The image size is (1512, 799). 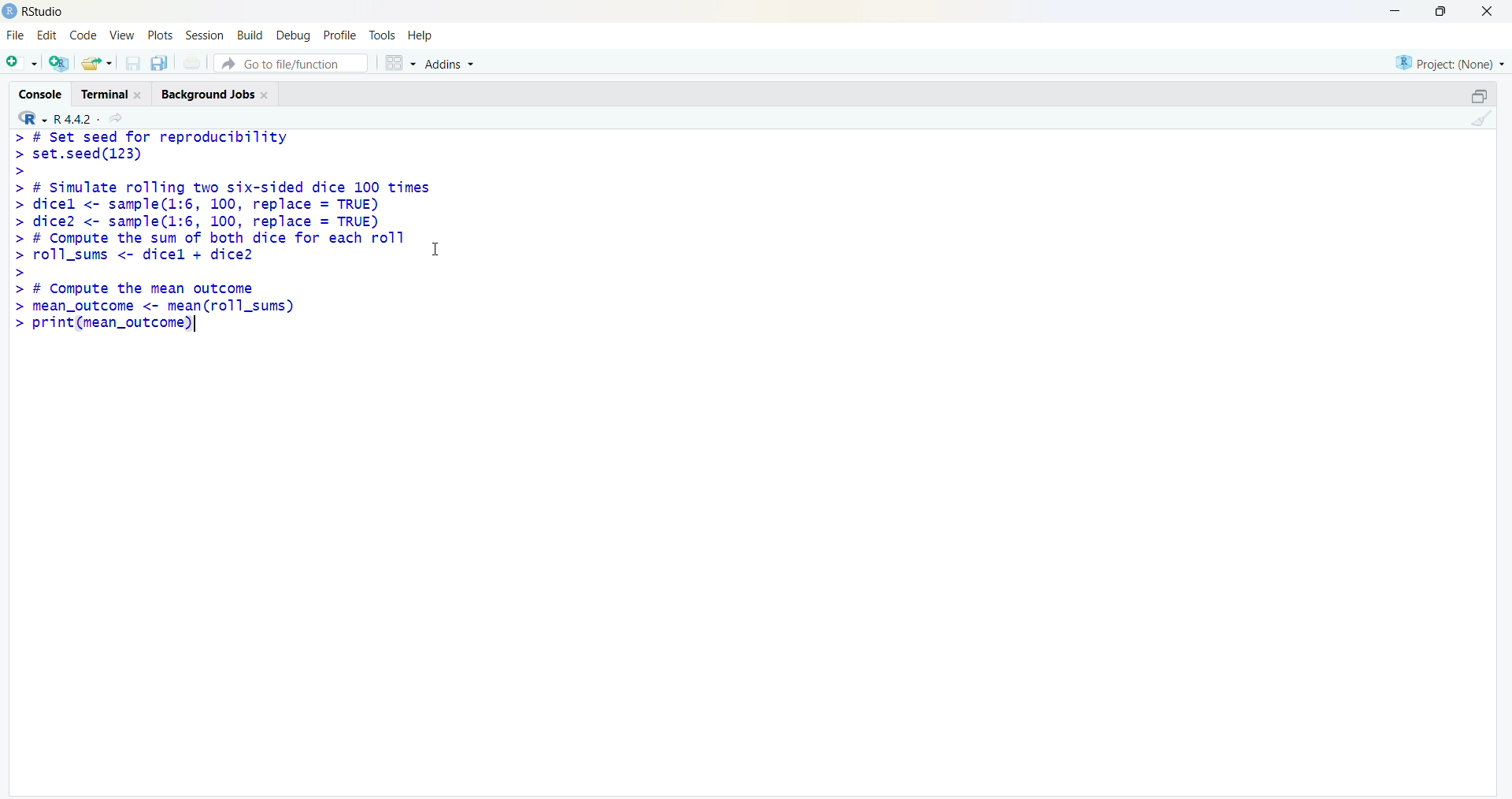 What do you see at coordinates (401, 63) in the screenshot?
I see `grid` at bounding box center [401, 63].